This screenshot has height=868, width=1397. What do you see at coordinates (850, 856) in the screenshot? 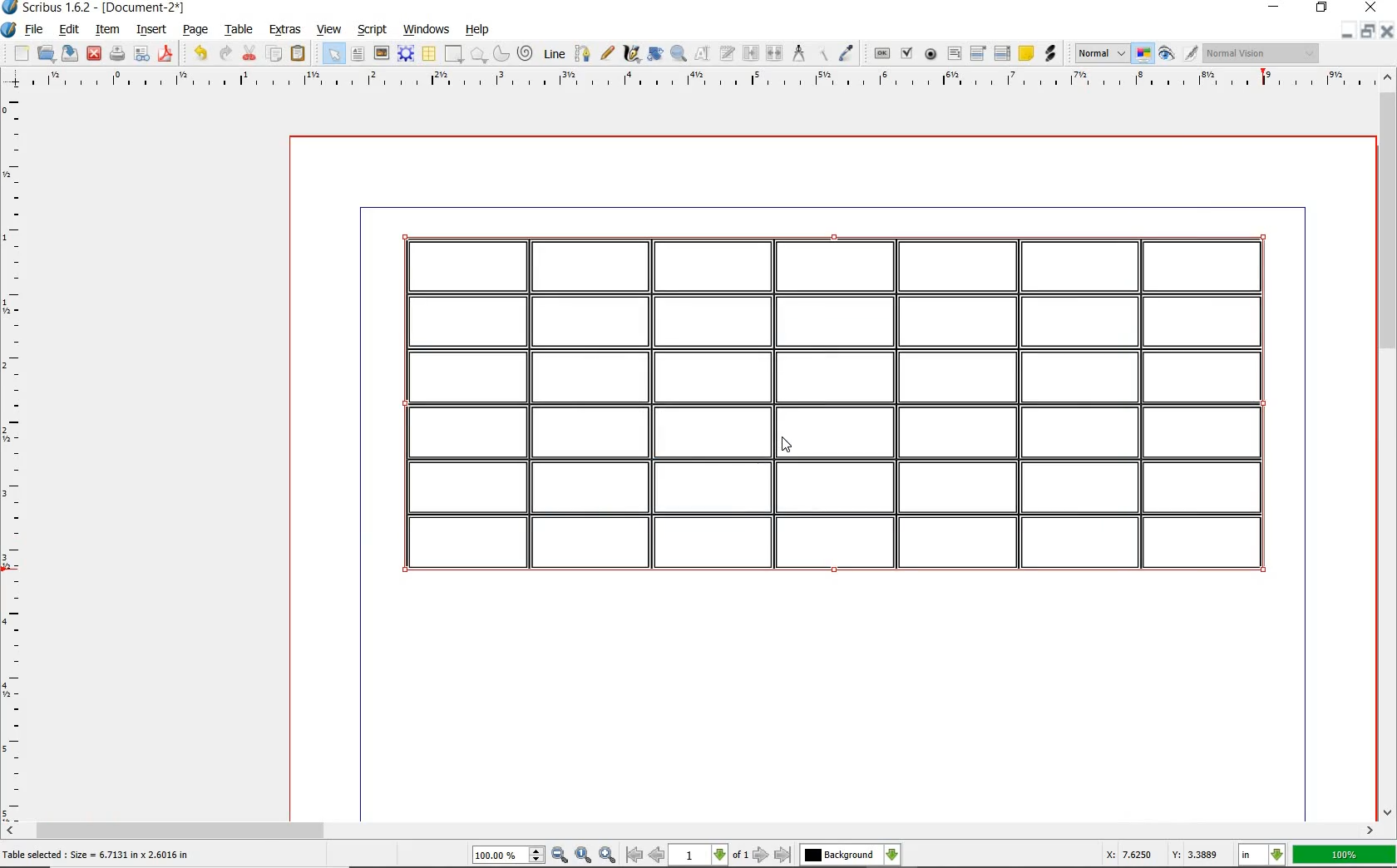
I see `select the current layer` at bounding box center [850, 856].